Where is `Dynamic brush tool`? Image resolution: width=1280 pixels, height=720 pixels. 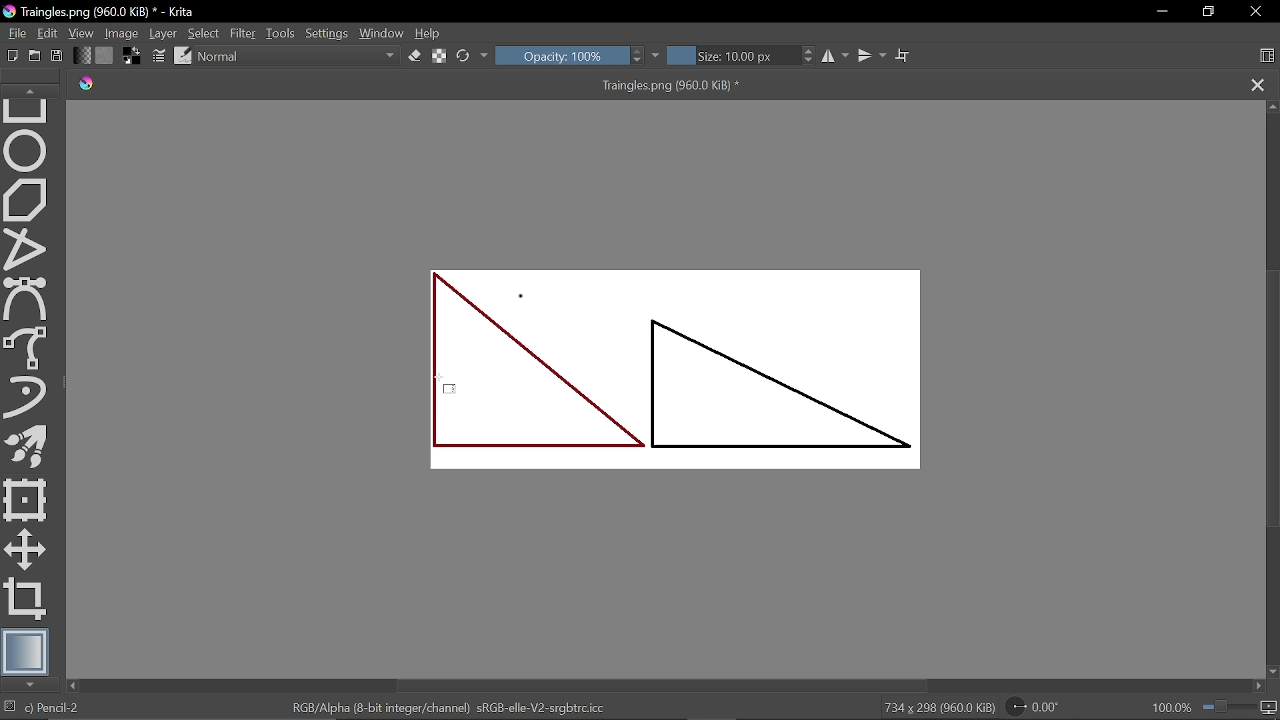 Dynamic brush tool is located at coordinates (26, 397).